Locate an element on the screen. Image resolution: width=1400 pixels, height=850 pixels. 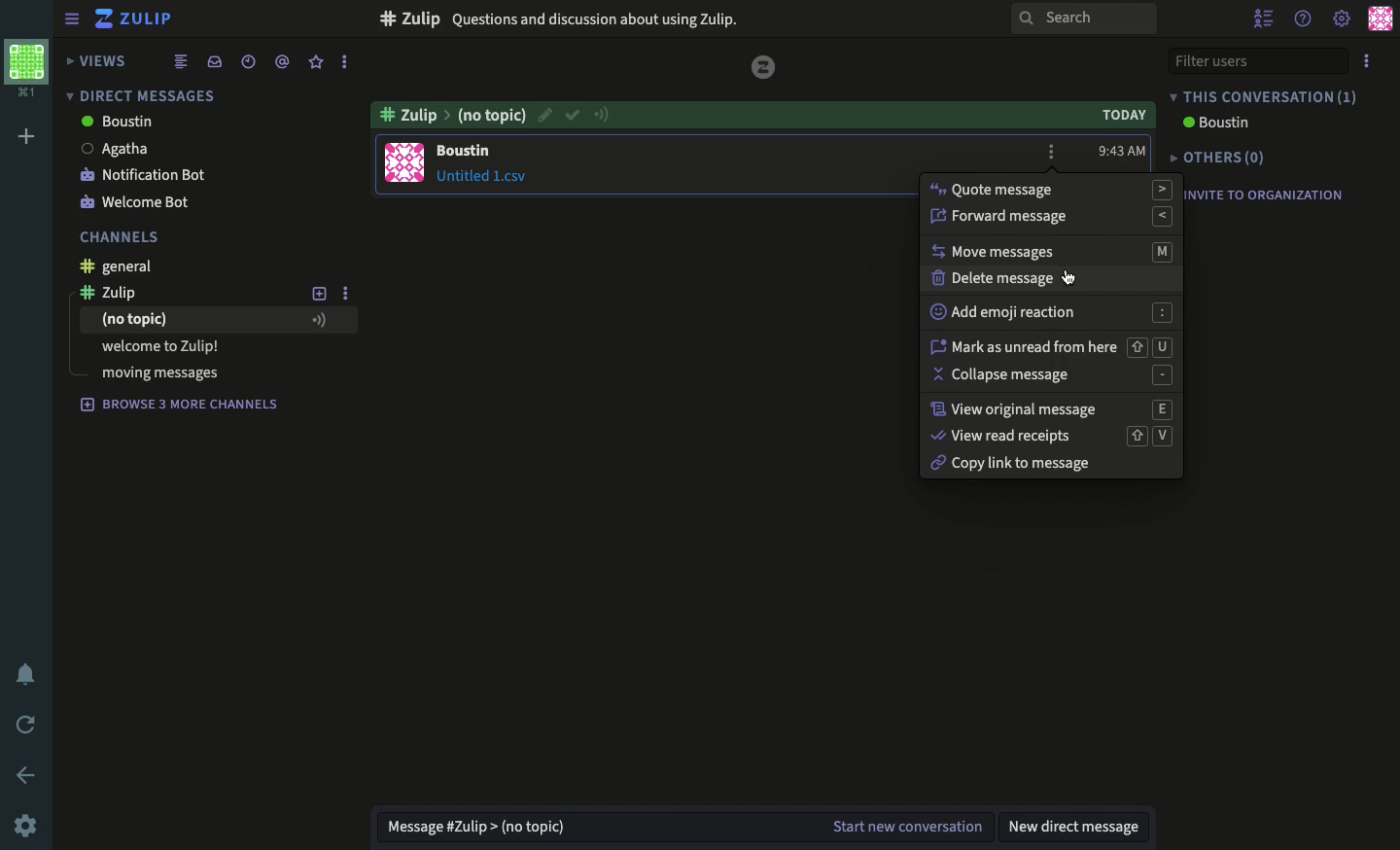
notification bot is located at coordinates (146, 177).